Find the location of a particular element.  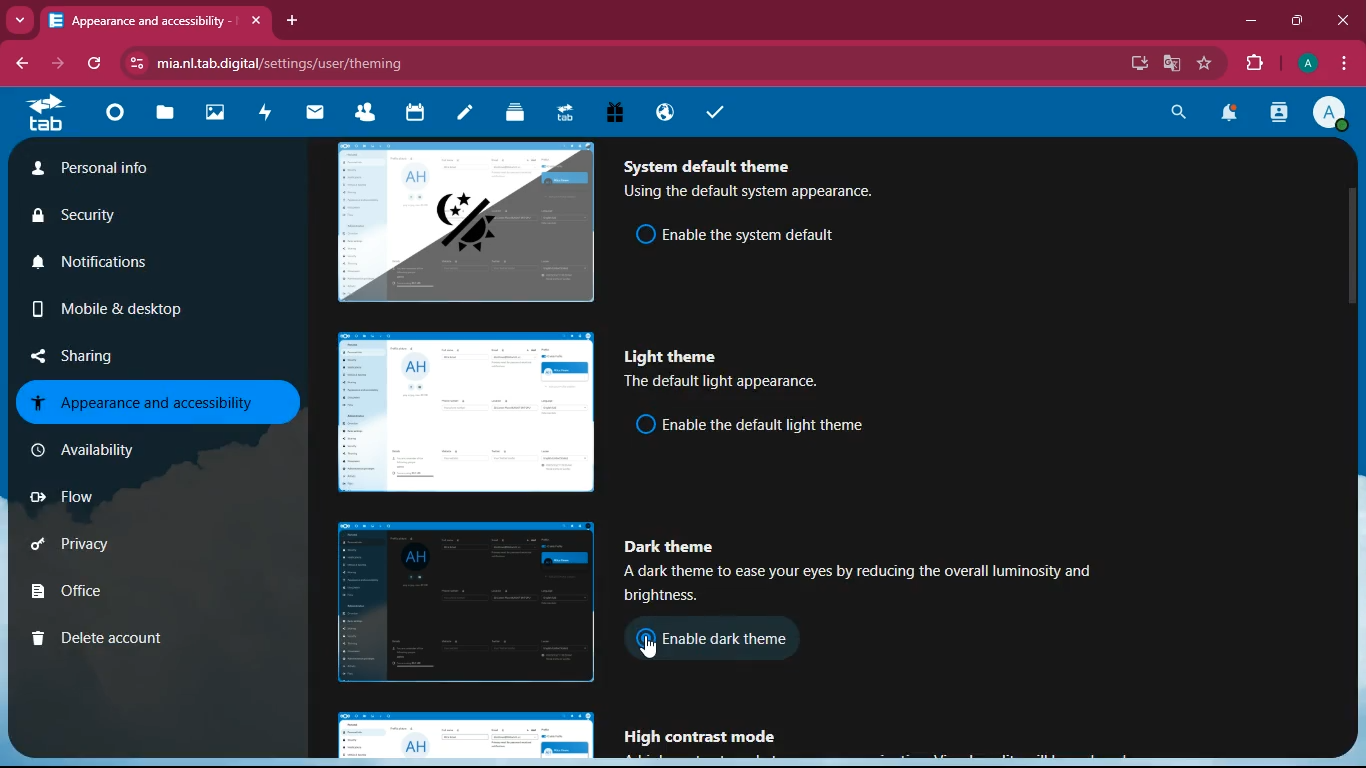

pointing cursor is located at coordinates (653, 648).